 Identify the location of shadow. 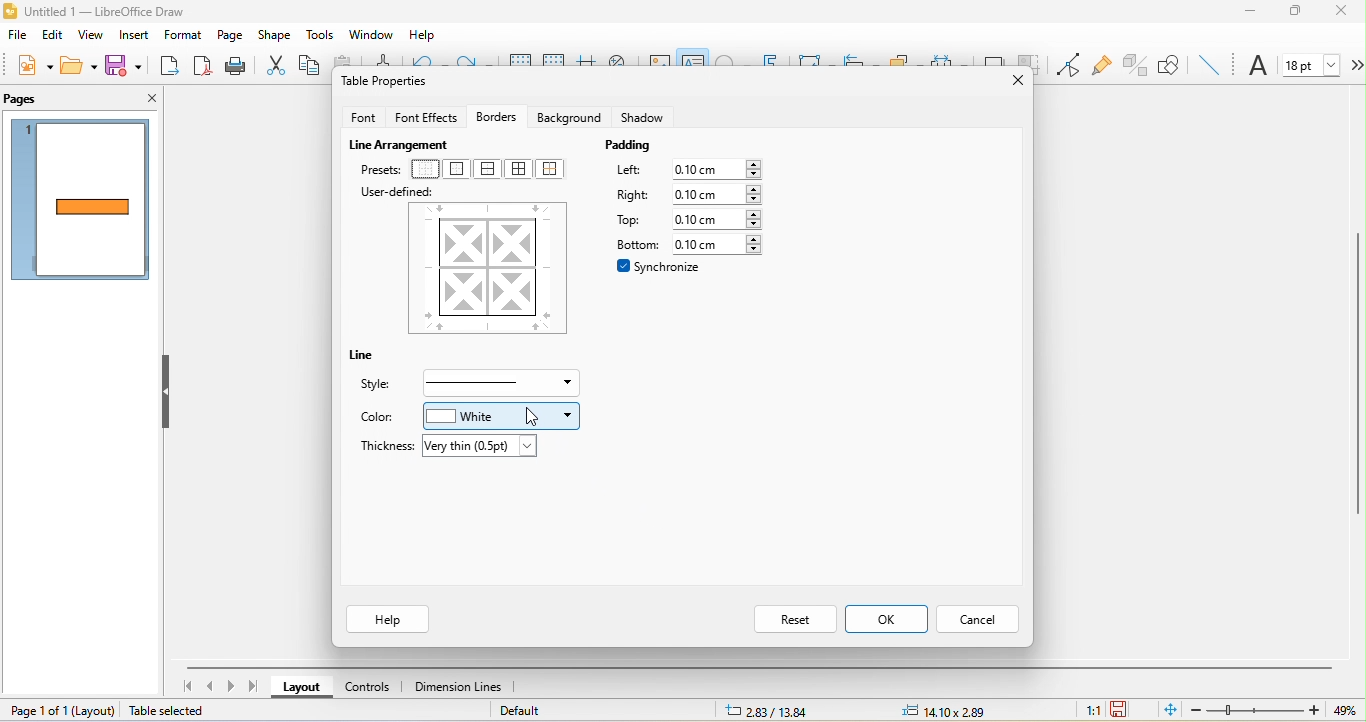
(643, 114).